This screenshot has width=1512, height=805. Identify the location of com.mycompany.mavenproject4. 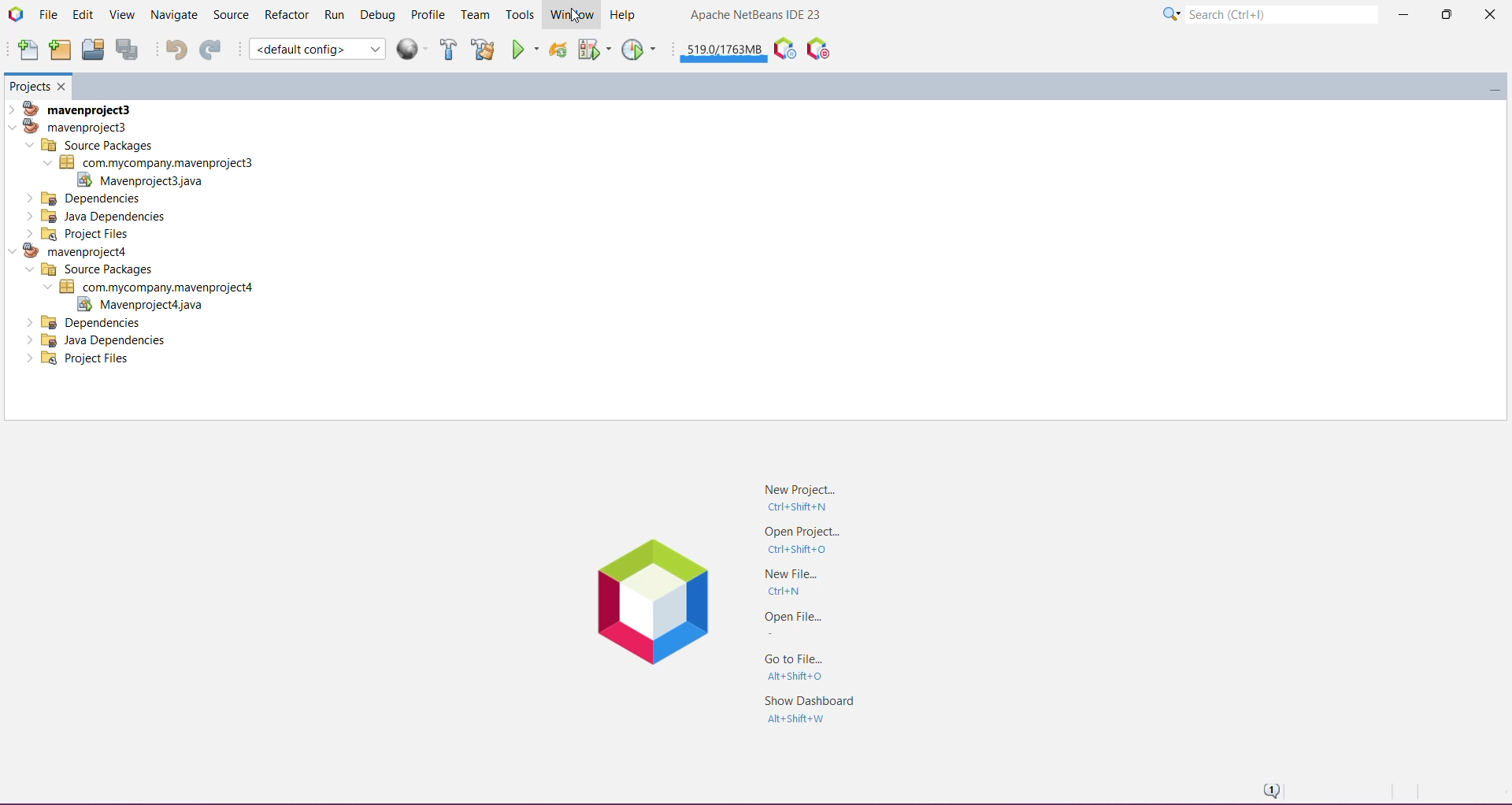
(154, 287).